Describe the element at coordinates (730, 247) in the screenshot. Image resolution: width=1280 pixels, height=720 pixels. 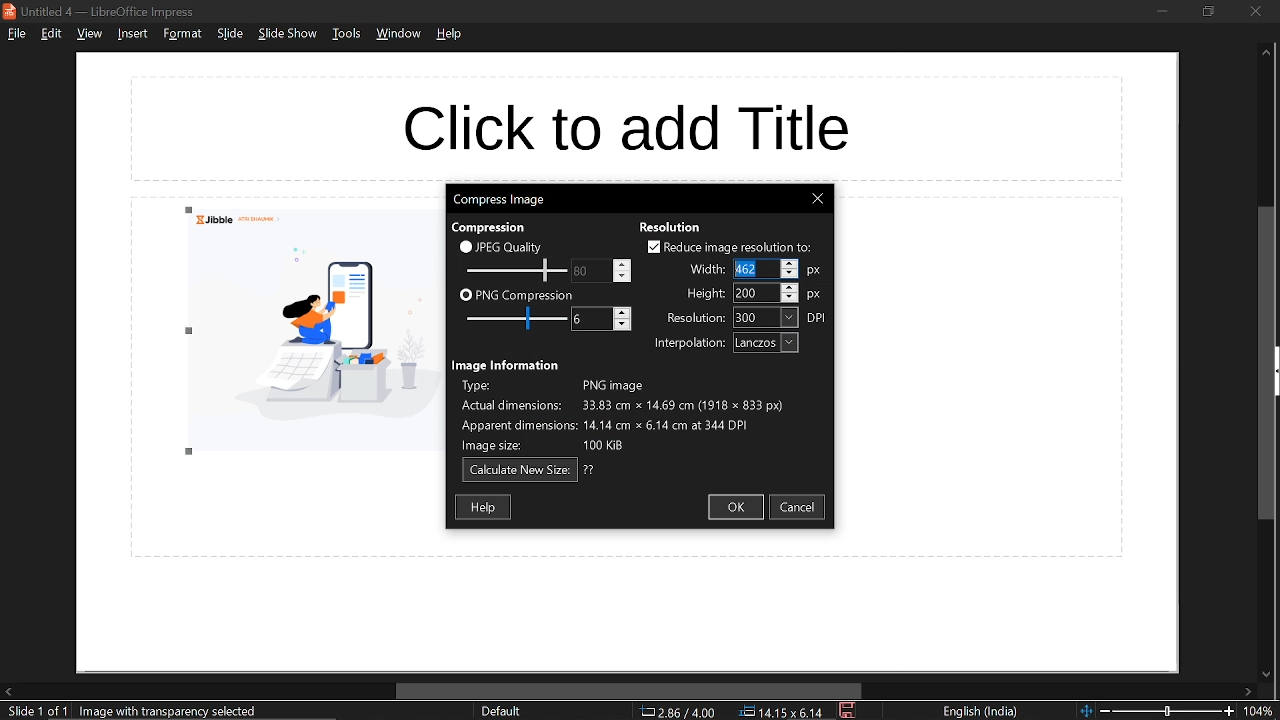
I see `reduce image resolution to` at that location.